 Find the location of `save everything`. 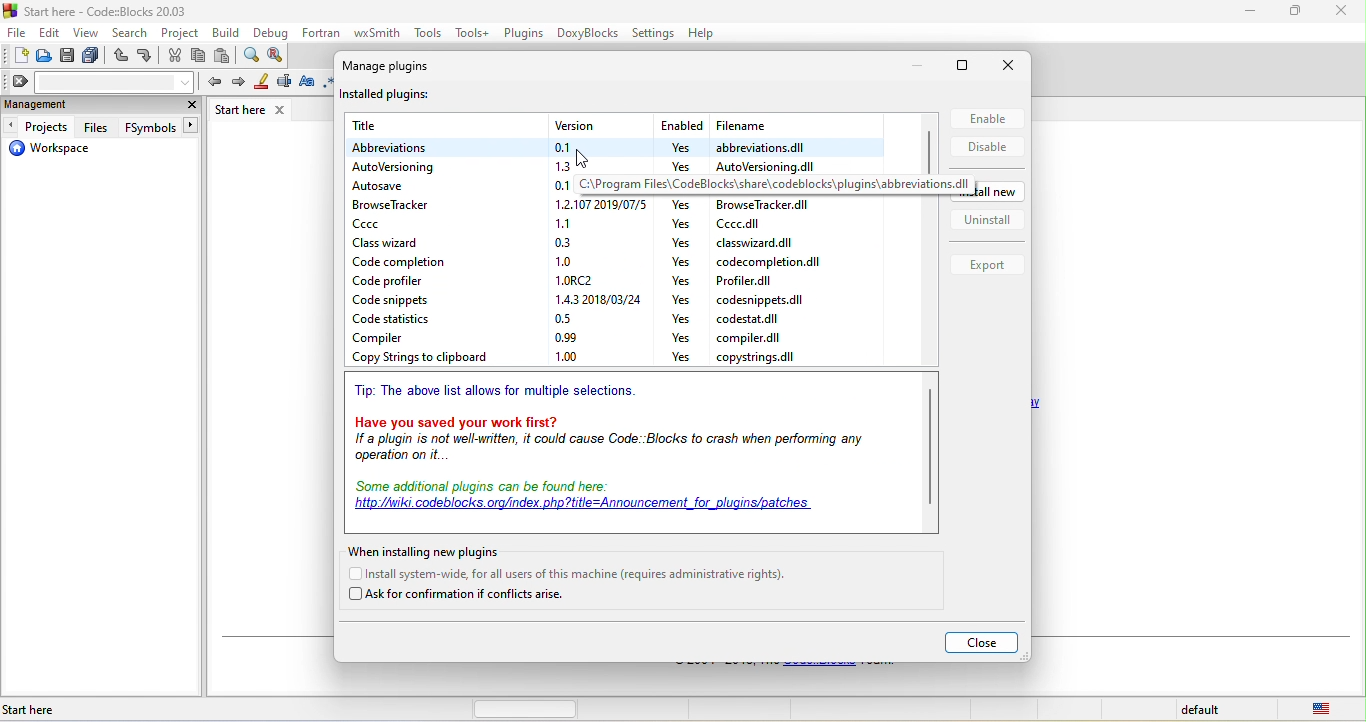

save everything is located at coordinates (93, 57).